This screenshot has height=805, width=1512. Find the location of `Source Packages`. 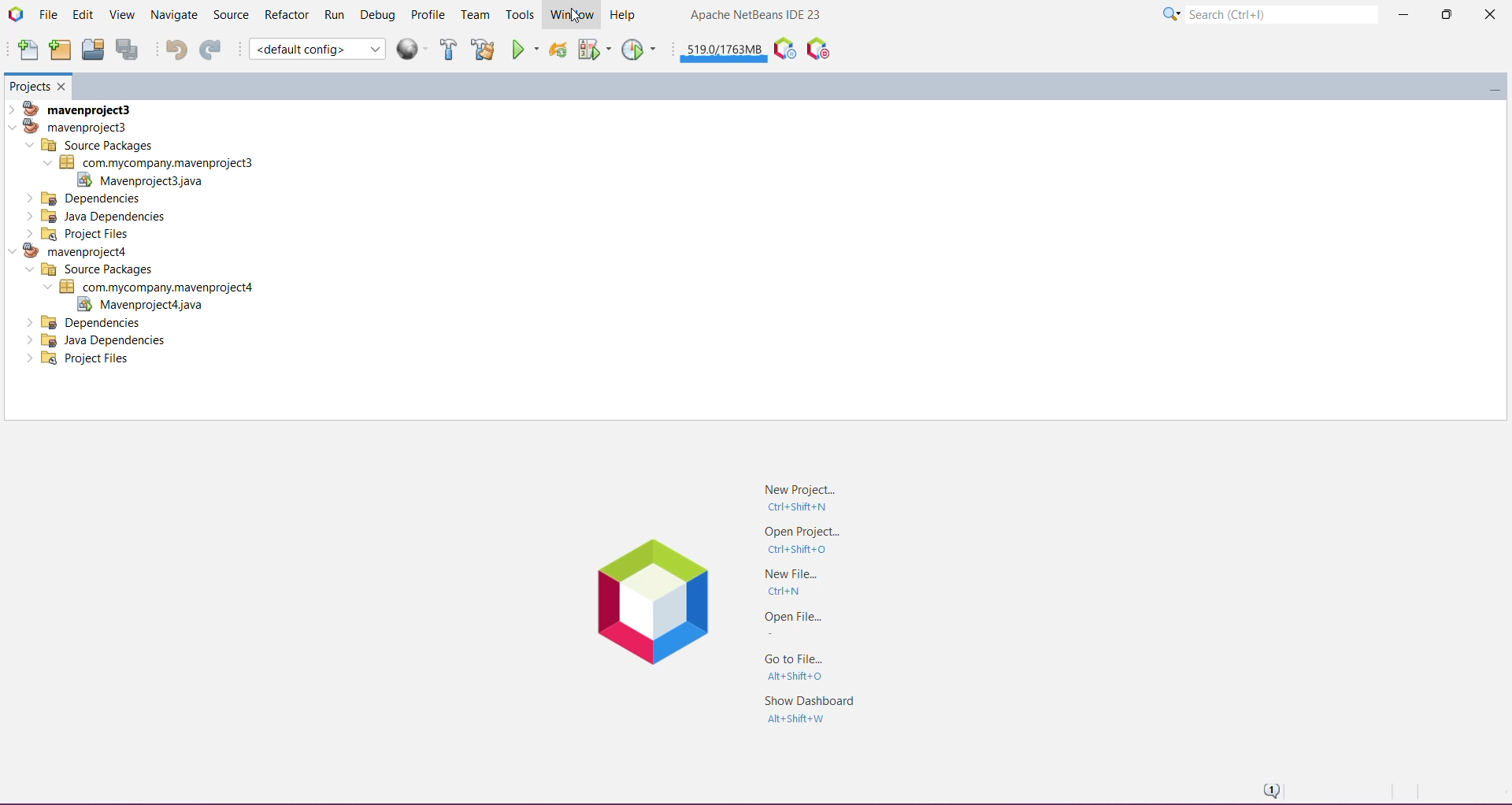

Source Packages is located at coordinates (87, 270).